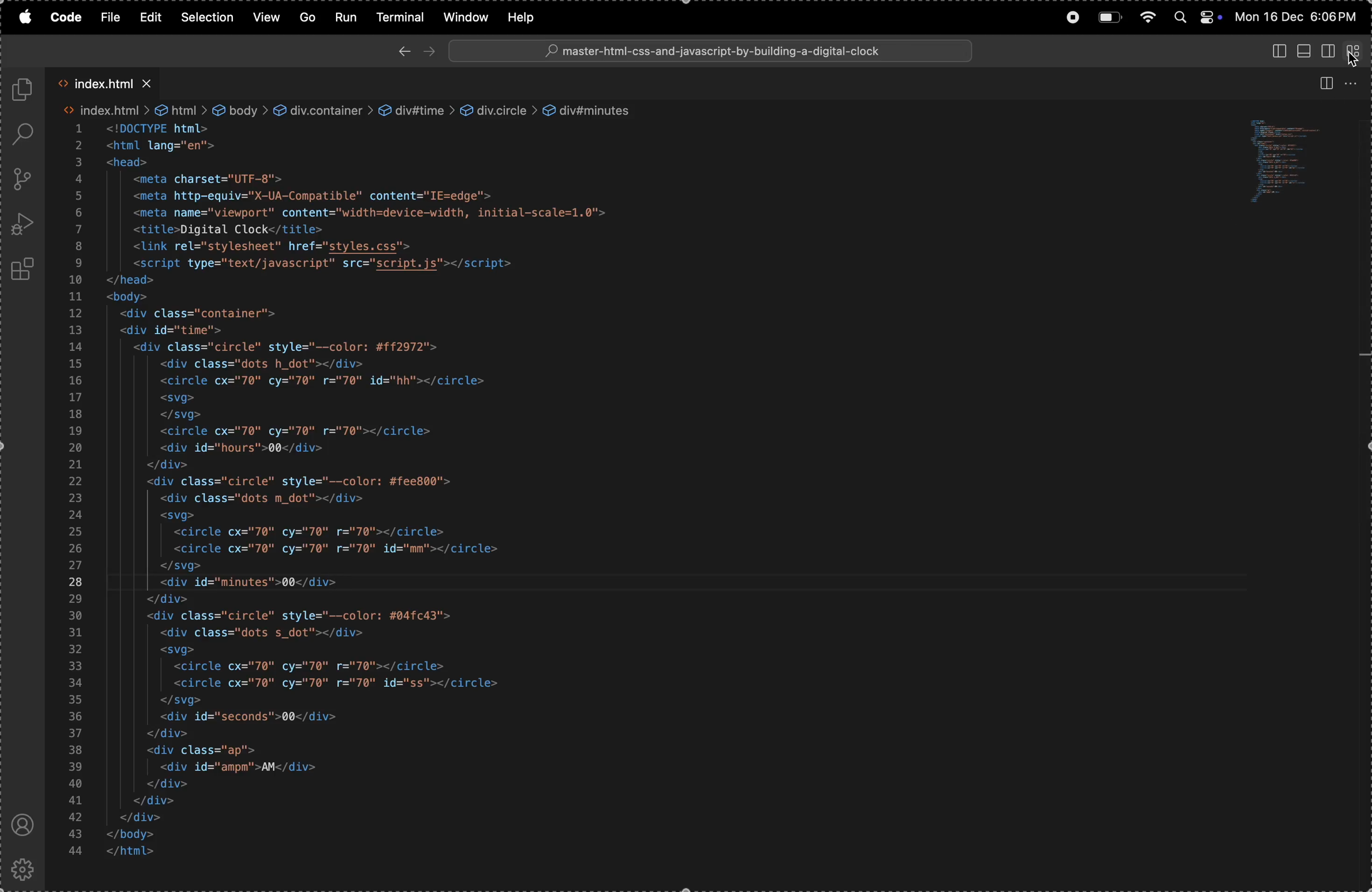  Describe the element at coordinates (66, 18) in the screenshot. I see `code` at that location.